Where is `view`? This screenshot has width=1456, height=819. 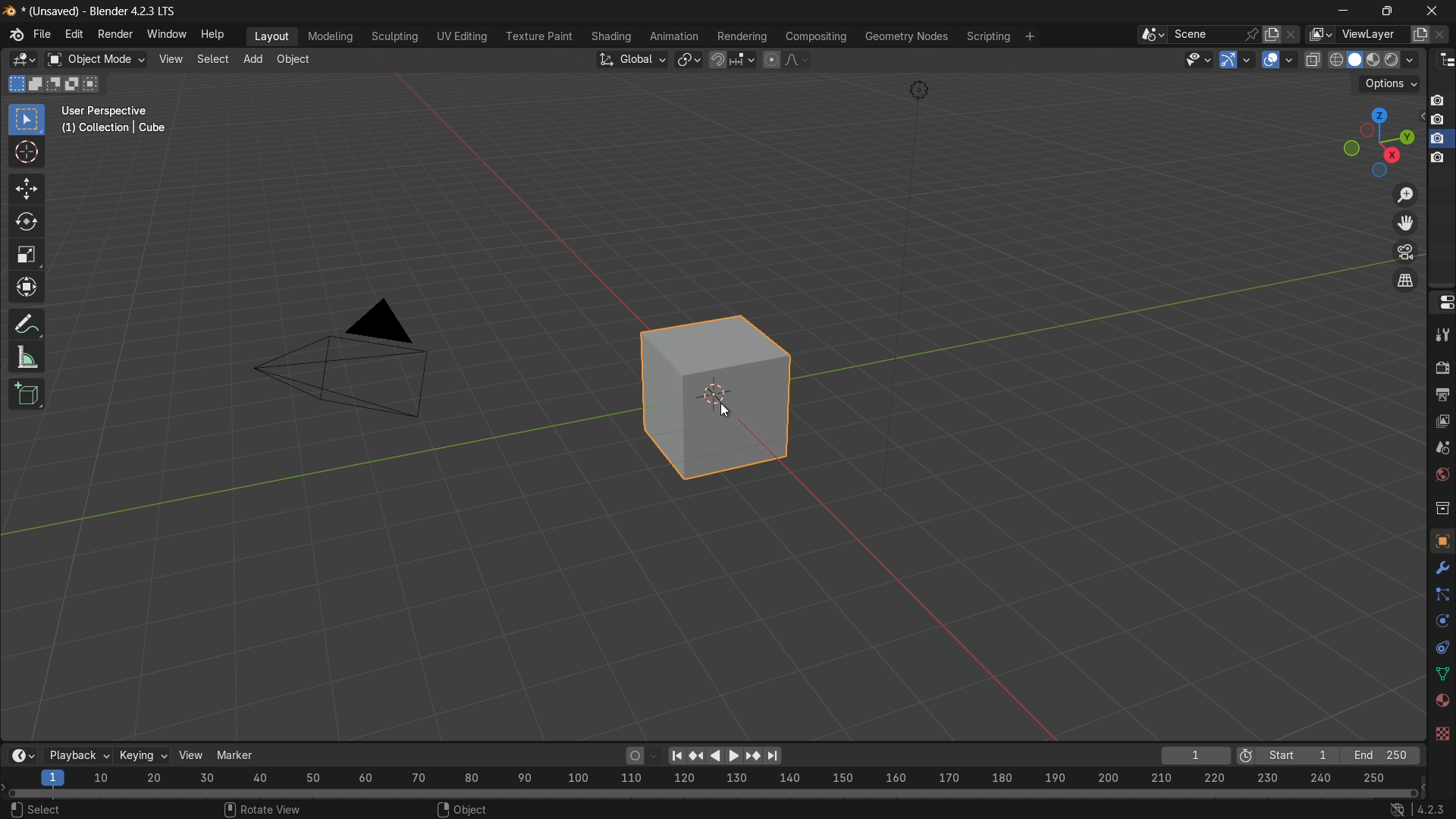 view is located at coordinates (193, 755).